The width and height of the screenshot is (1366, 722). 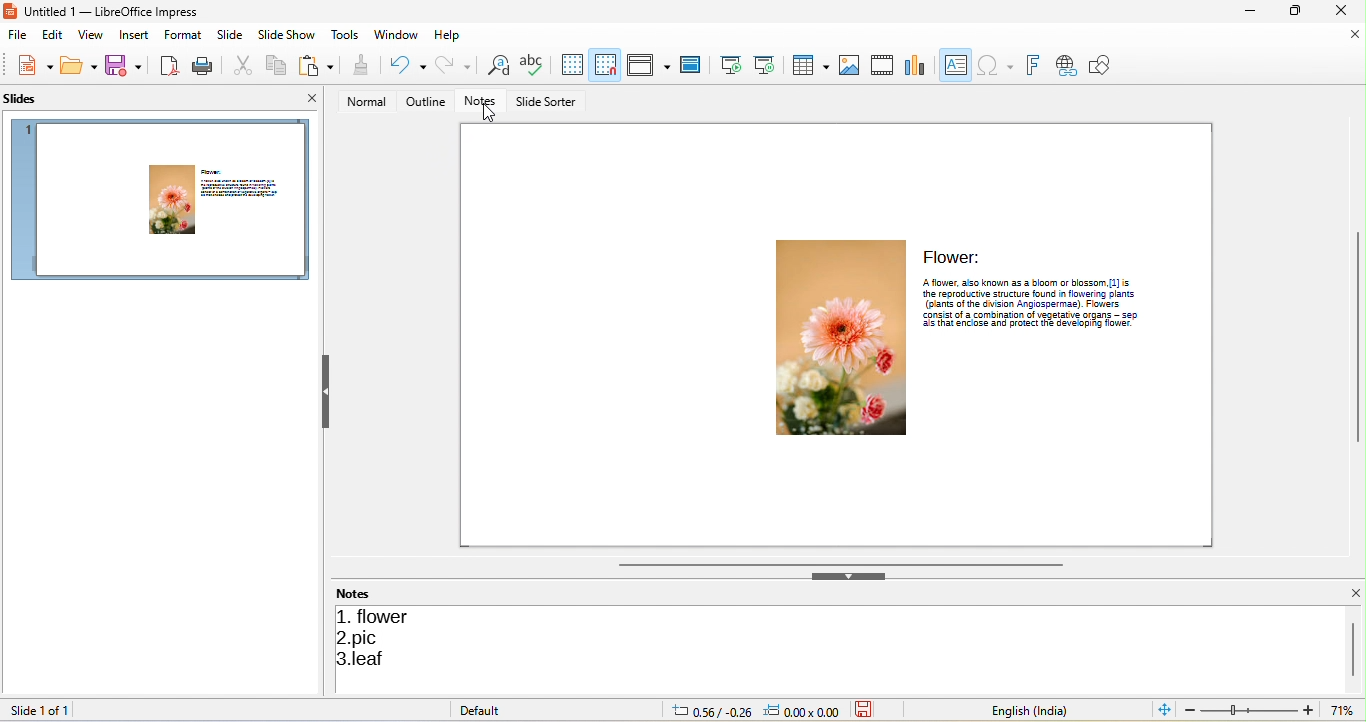 I want to click on flower, so click(x=379, y=615).